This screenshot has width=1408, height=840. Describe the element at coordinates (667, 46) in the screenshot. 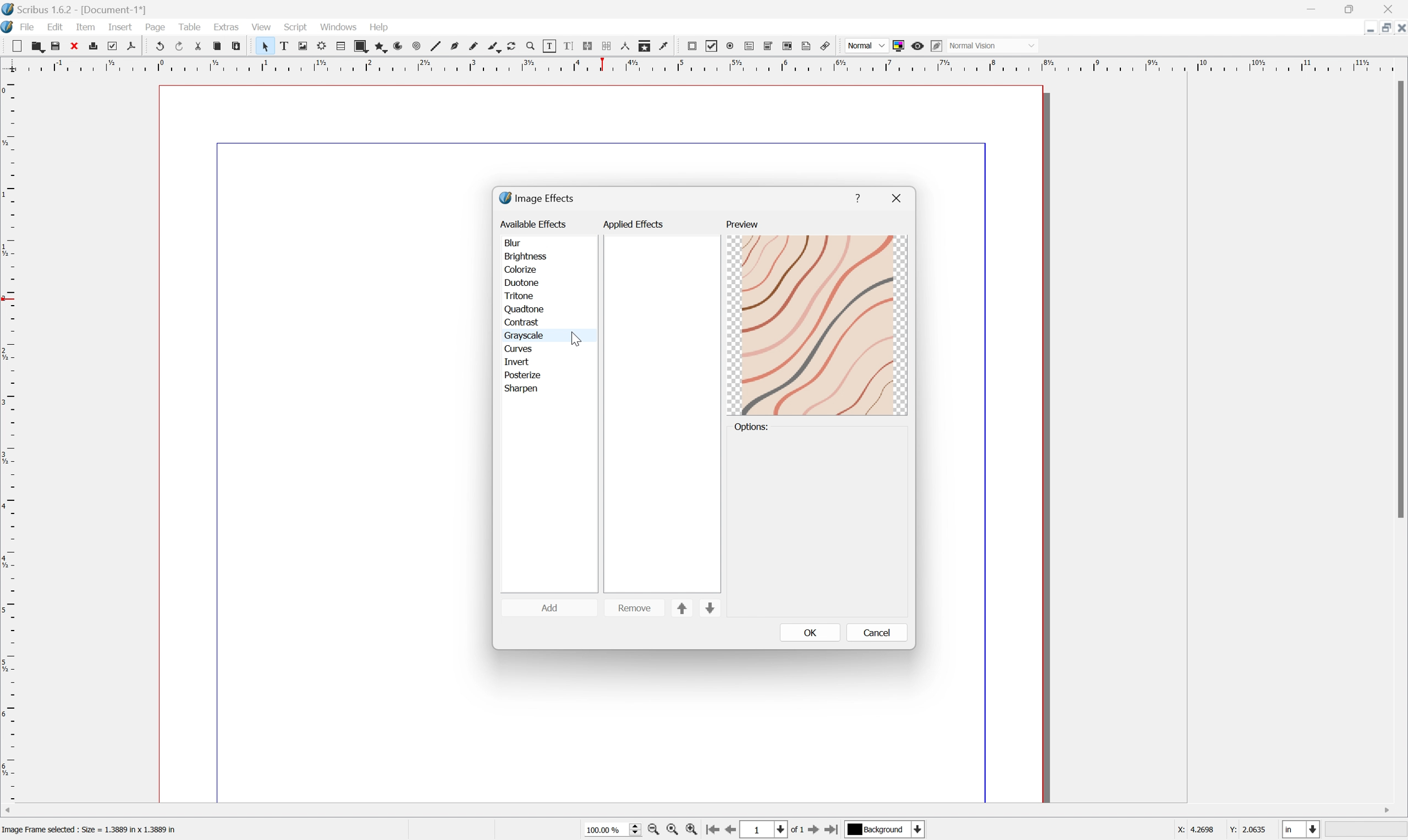

I see `Eye dropper` at that location.